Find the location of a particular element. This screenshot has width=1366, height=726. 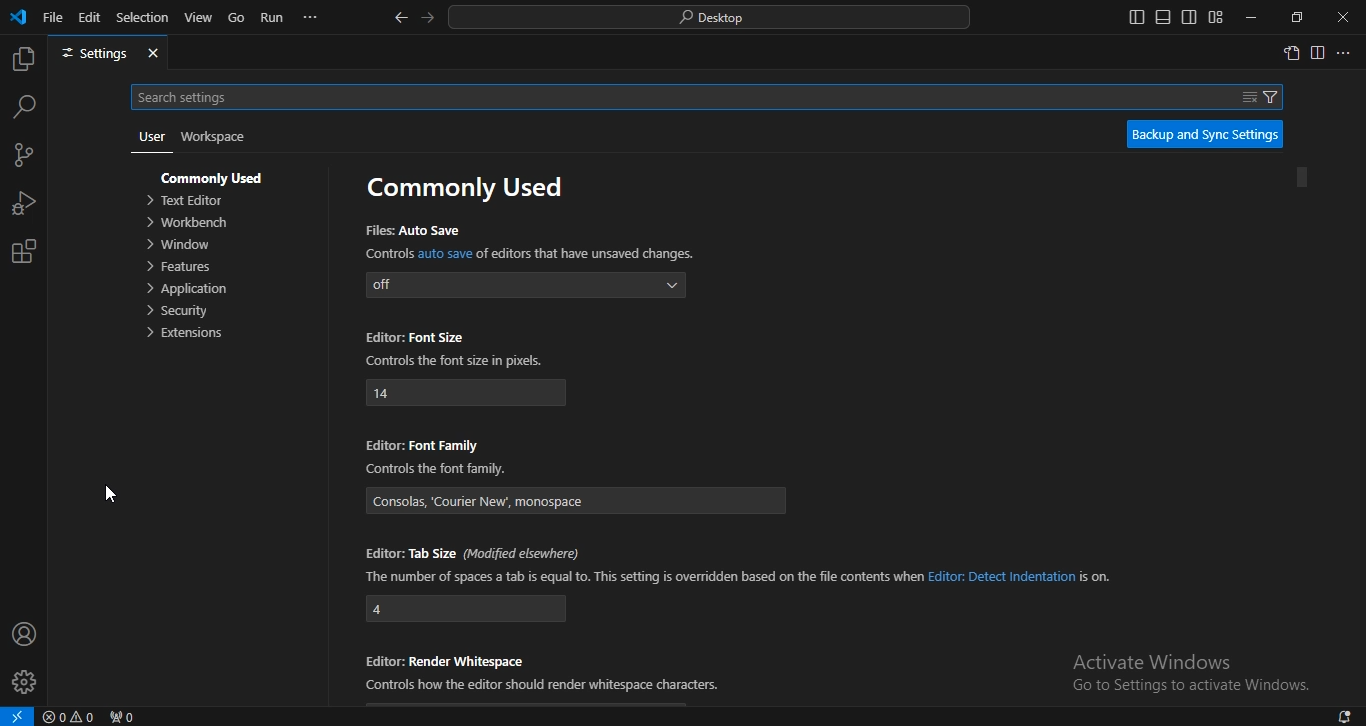

toggle secondary side bar is located at coordinates (1188, 16).